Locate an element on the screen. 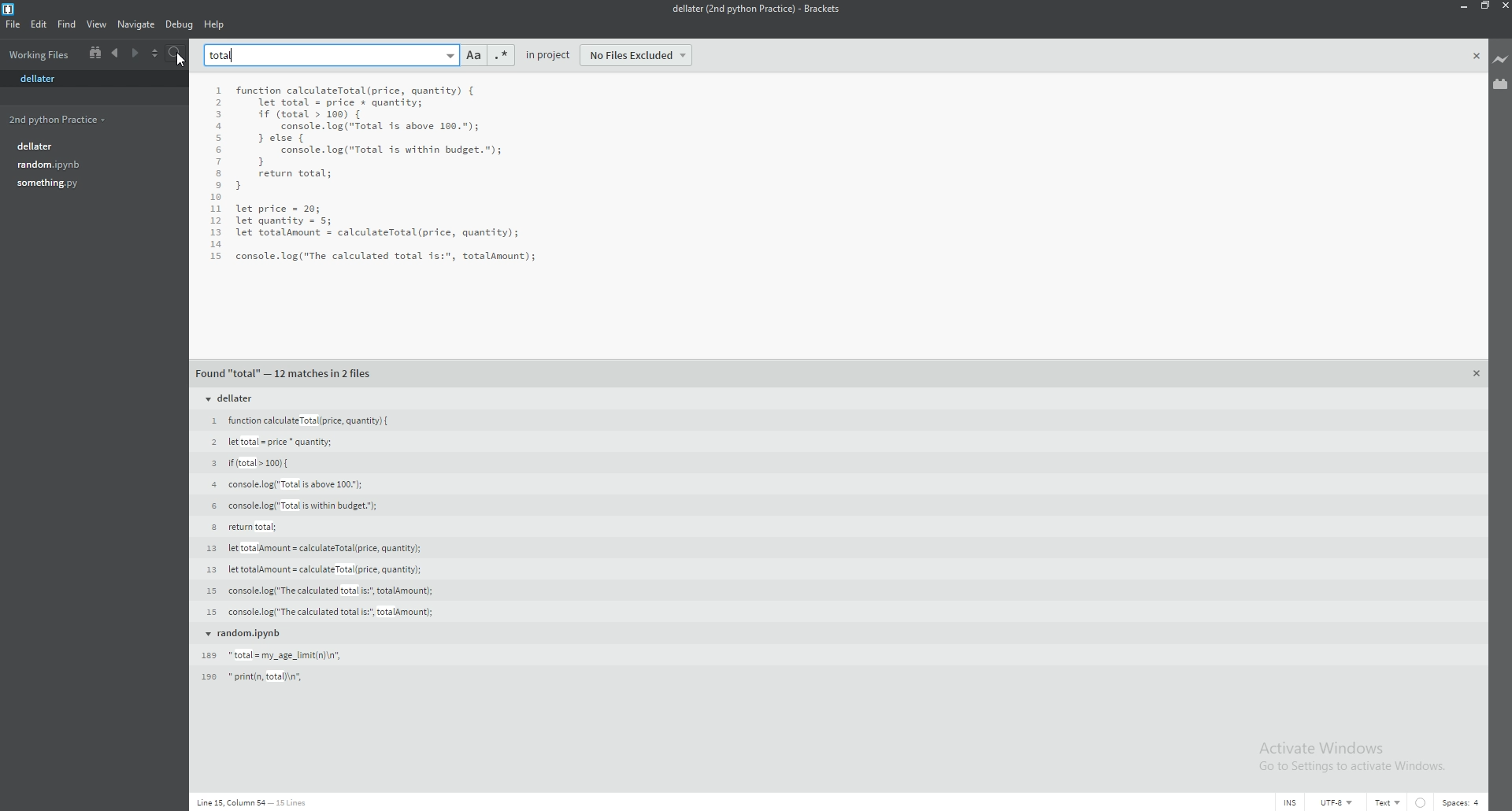 This screenshot has height=811, width=1512. dropdown is located at coordinates (449, 55).